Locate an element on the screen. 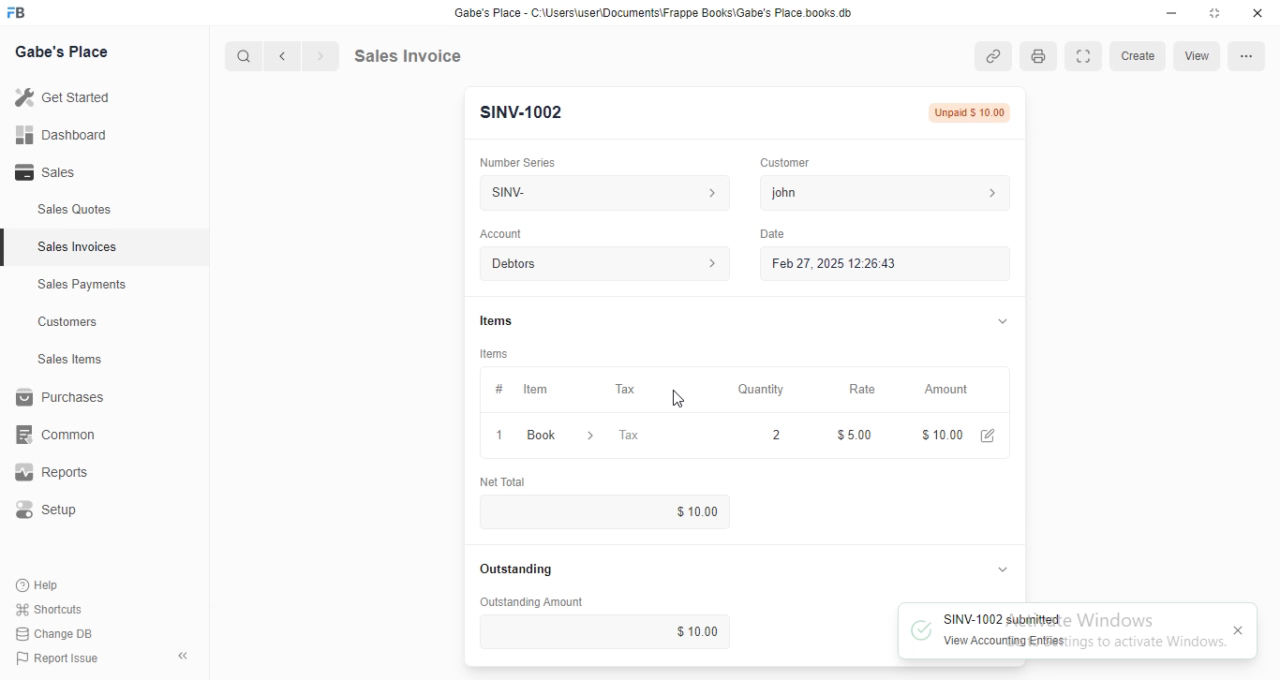 The height and width of the screenshot is (680, 1280). Net Total is located at coordinates (527, 480).